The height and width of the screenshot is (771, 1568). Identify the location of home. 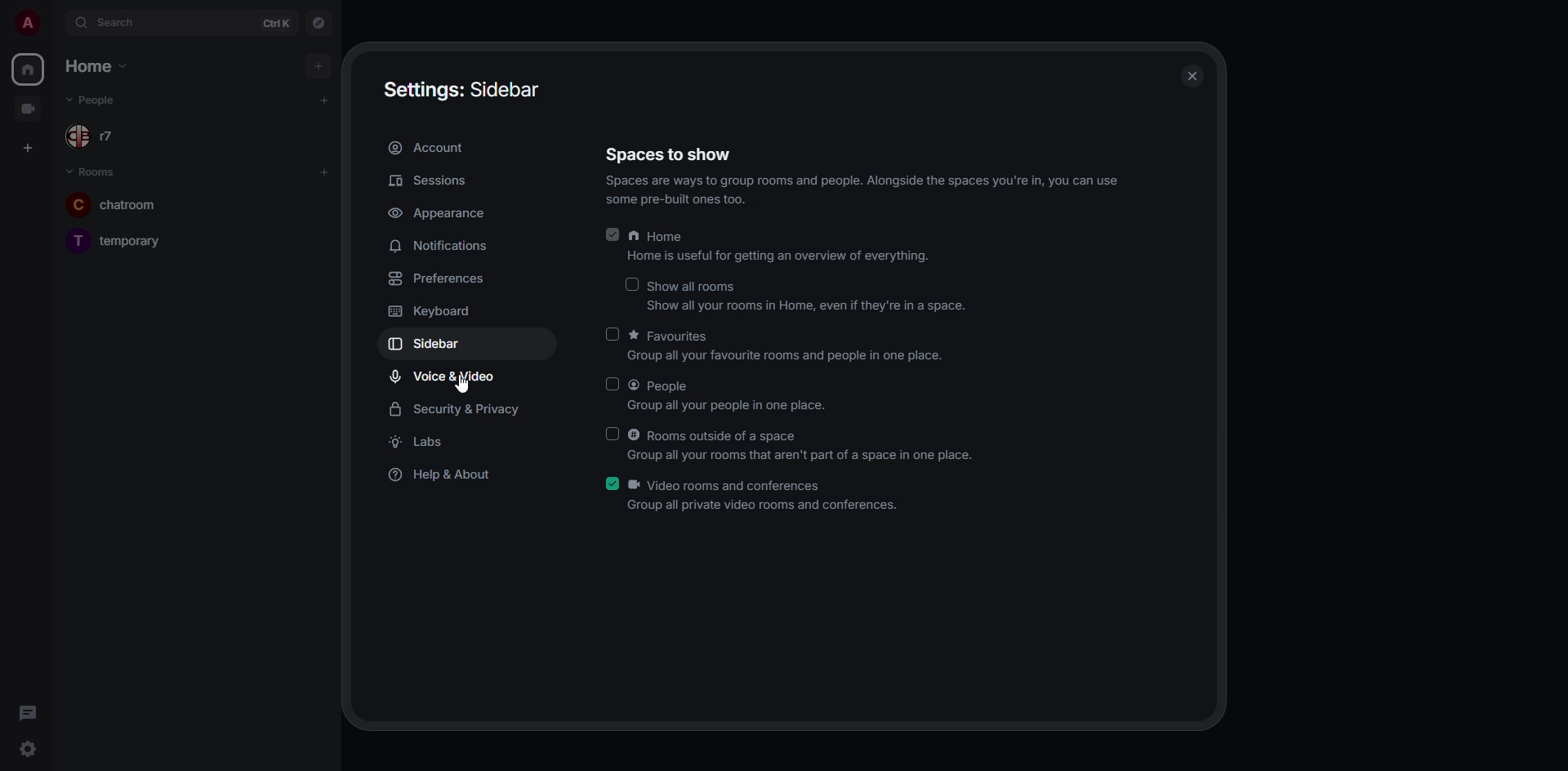
(93, 65).